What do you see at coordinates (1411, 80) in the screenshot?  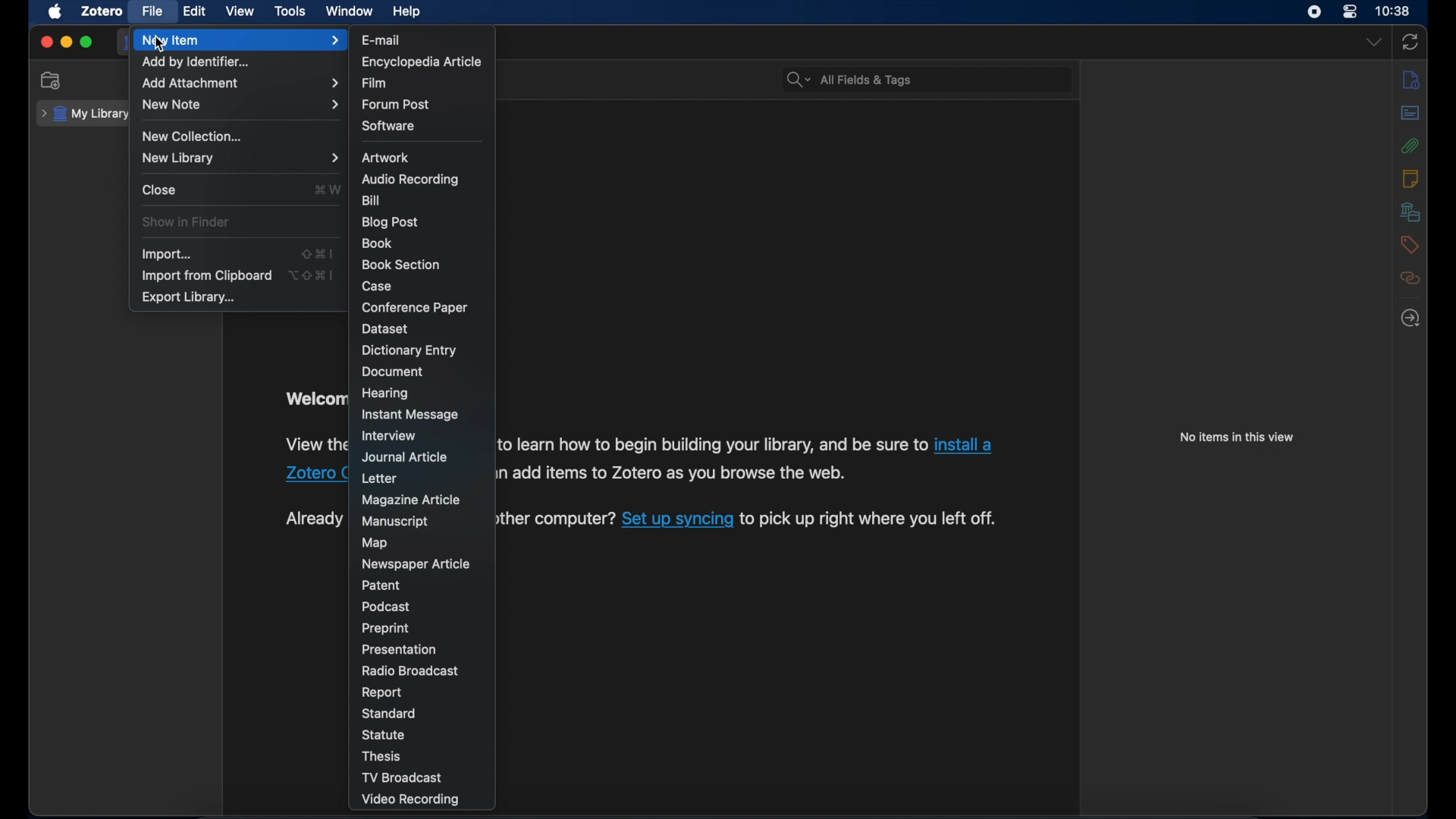 I see `info` at bounding box center [1411, 80].